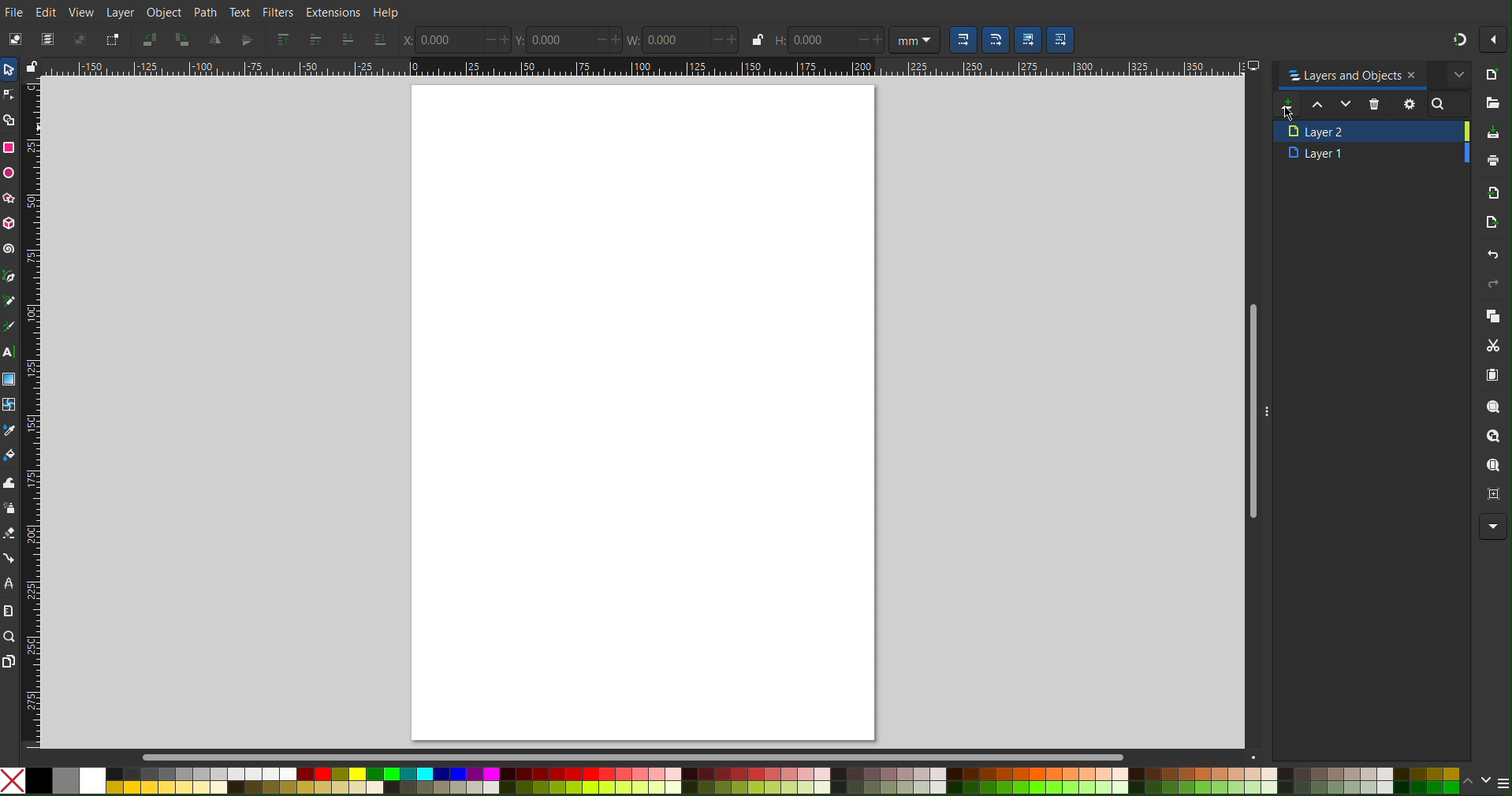 This screenshot has width=1512, height=796. Describe the element at coordinates (165, 12) in the screenshot. I see `Object` at that location.